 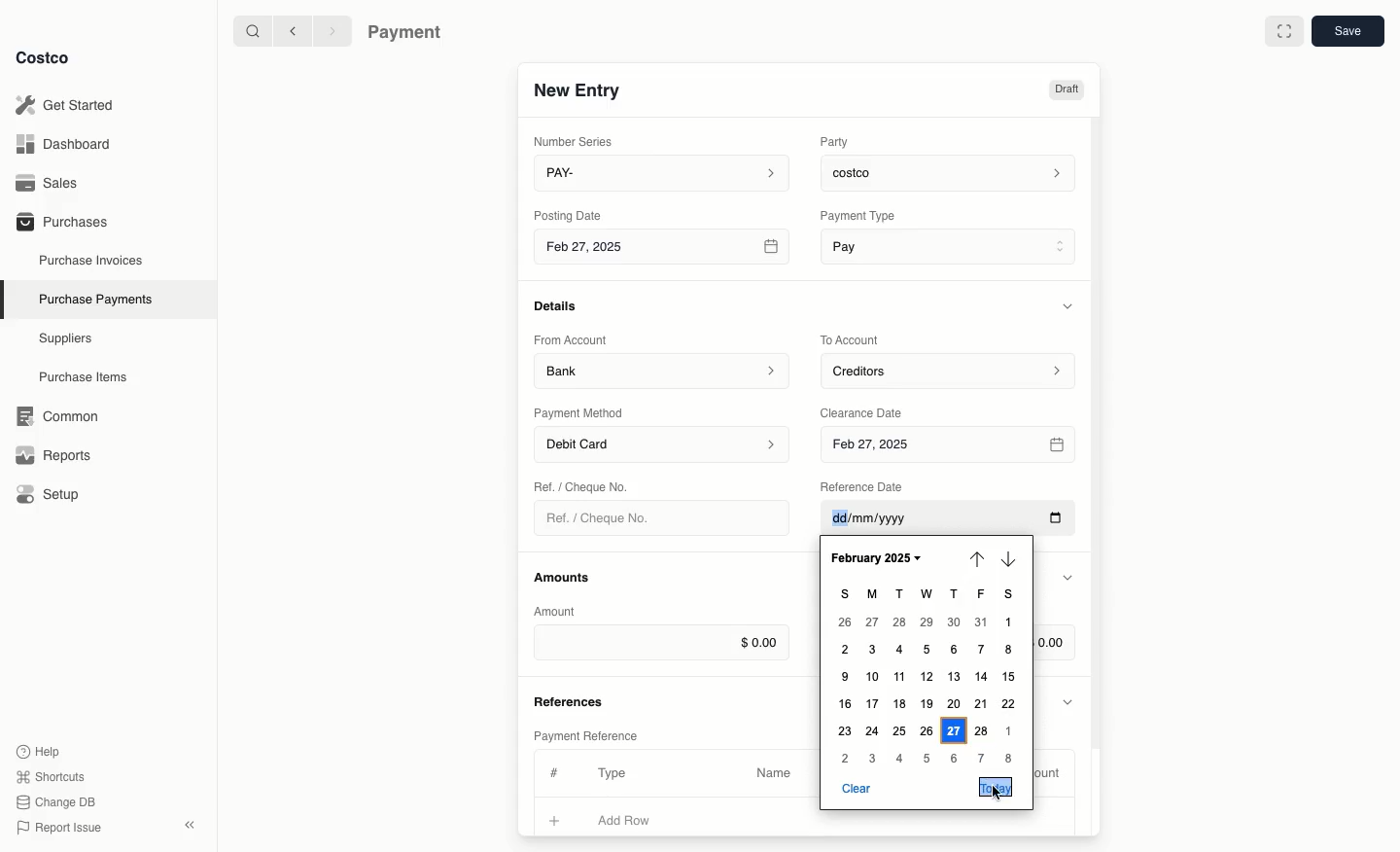 I want to click on Ref. / Cheque No., so click(x=606, y=518).